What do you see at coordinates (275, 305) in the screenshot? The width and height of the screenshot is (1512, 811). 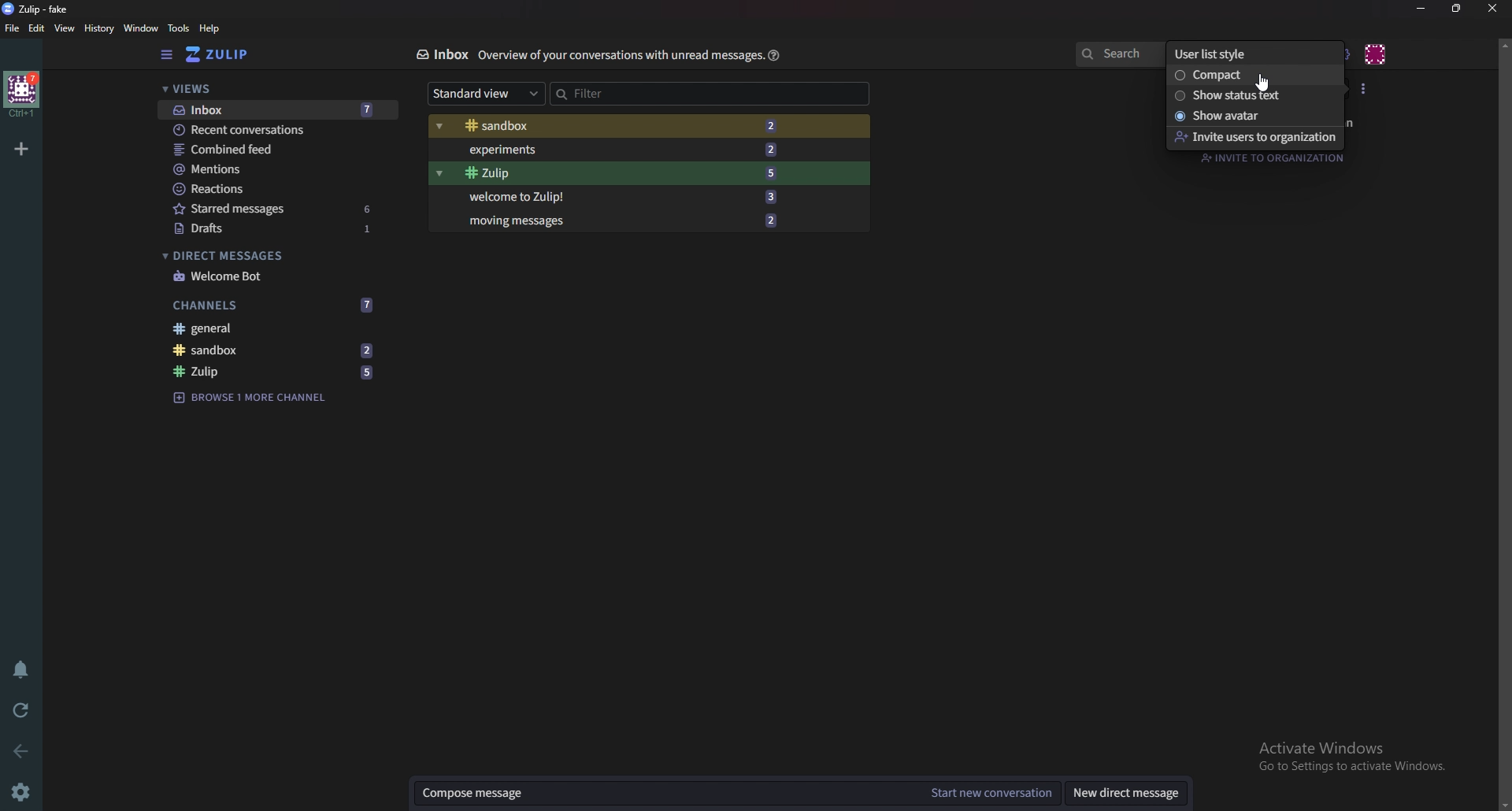 I see `Channels` at bounding box center [275, 305].